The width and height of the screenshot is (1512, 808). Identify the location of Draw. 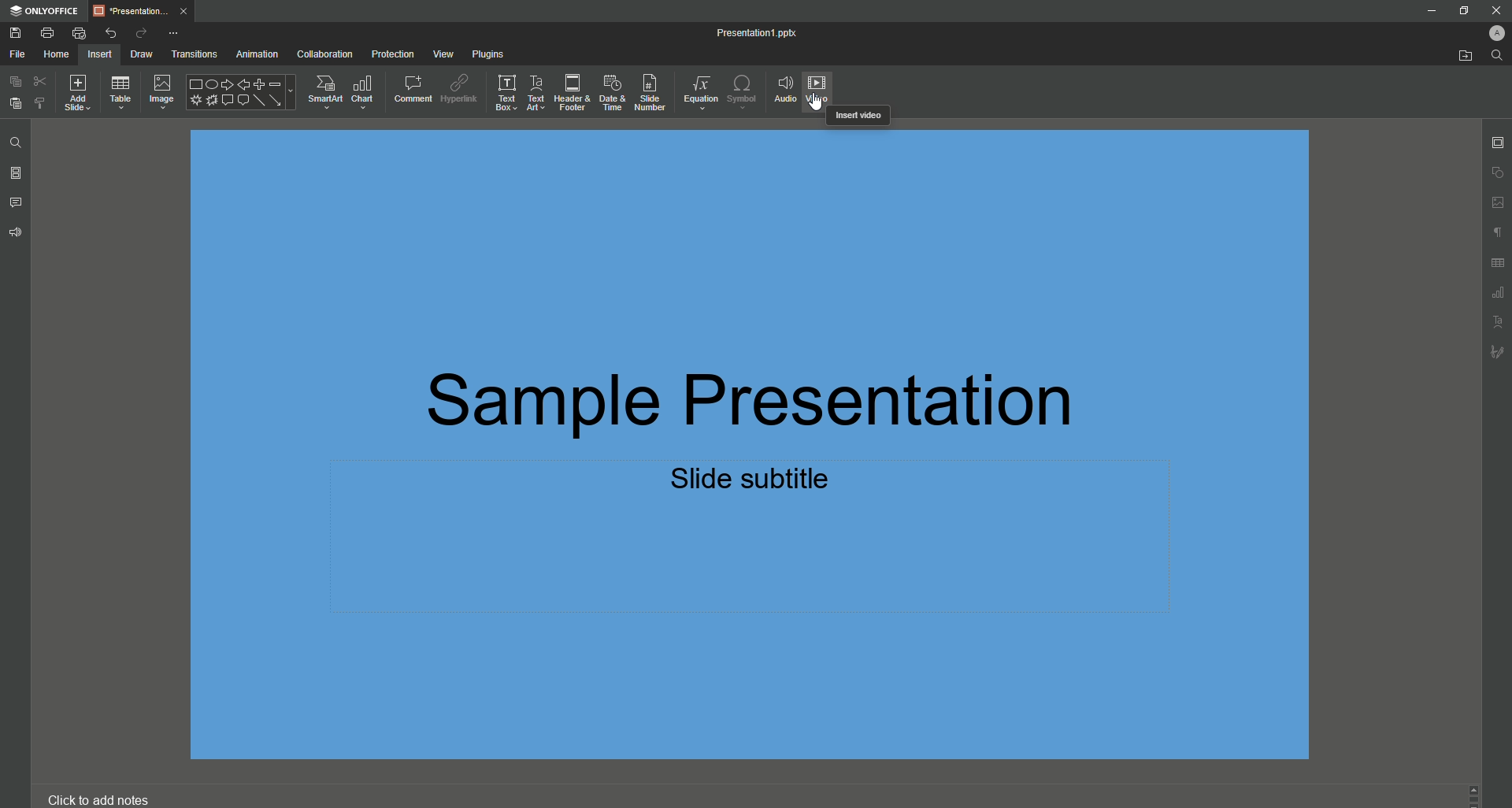
(135, 54).